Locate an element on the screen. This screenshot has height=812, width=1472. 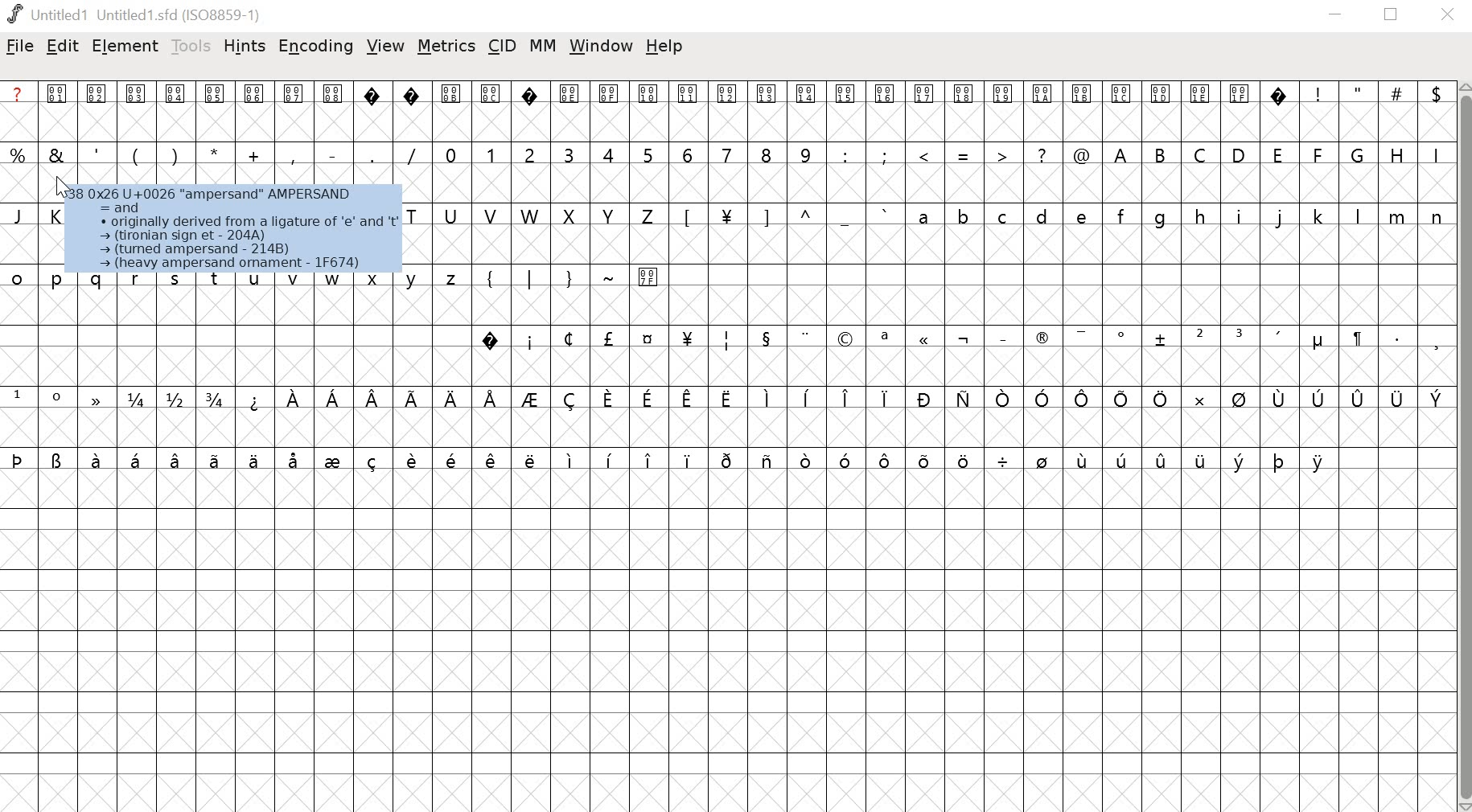
symbol is located at coordinates (99, 459).